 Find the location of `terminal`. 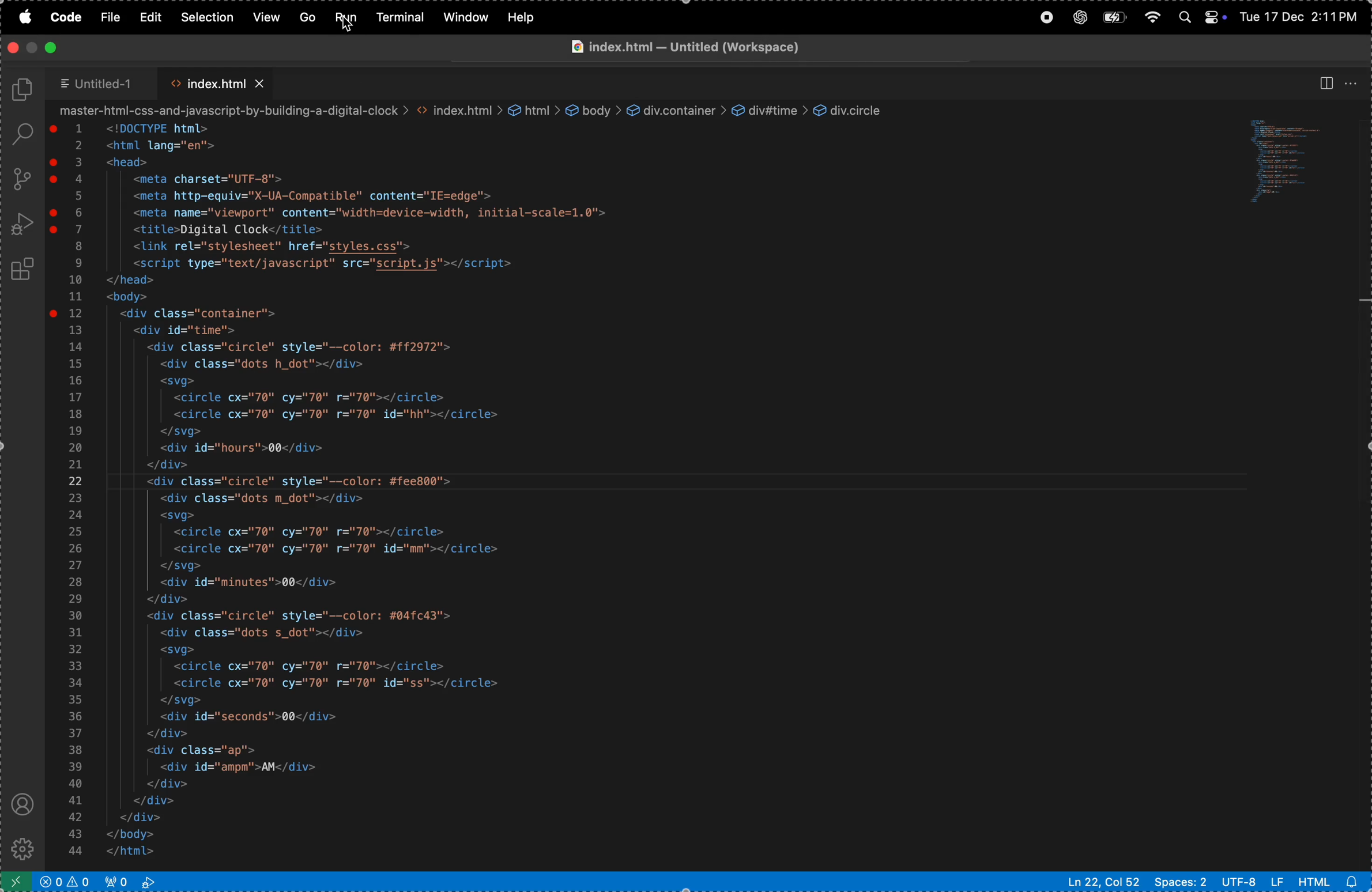

terminal is located at coordinates (402, 19).